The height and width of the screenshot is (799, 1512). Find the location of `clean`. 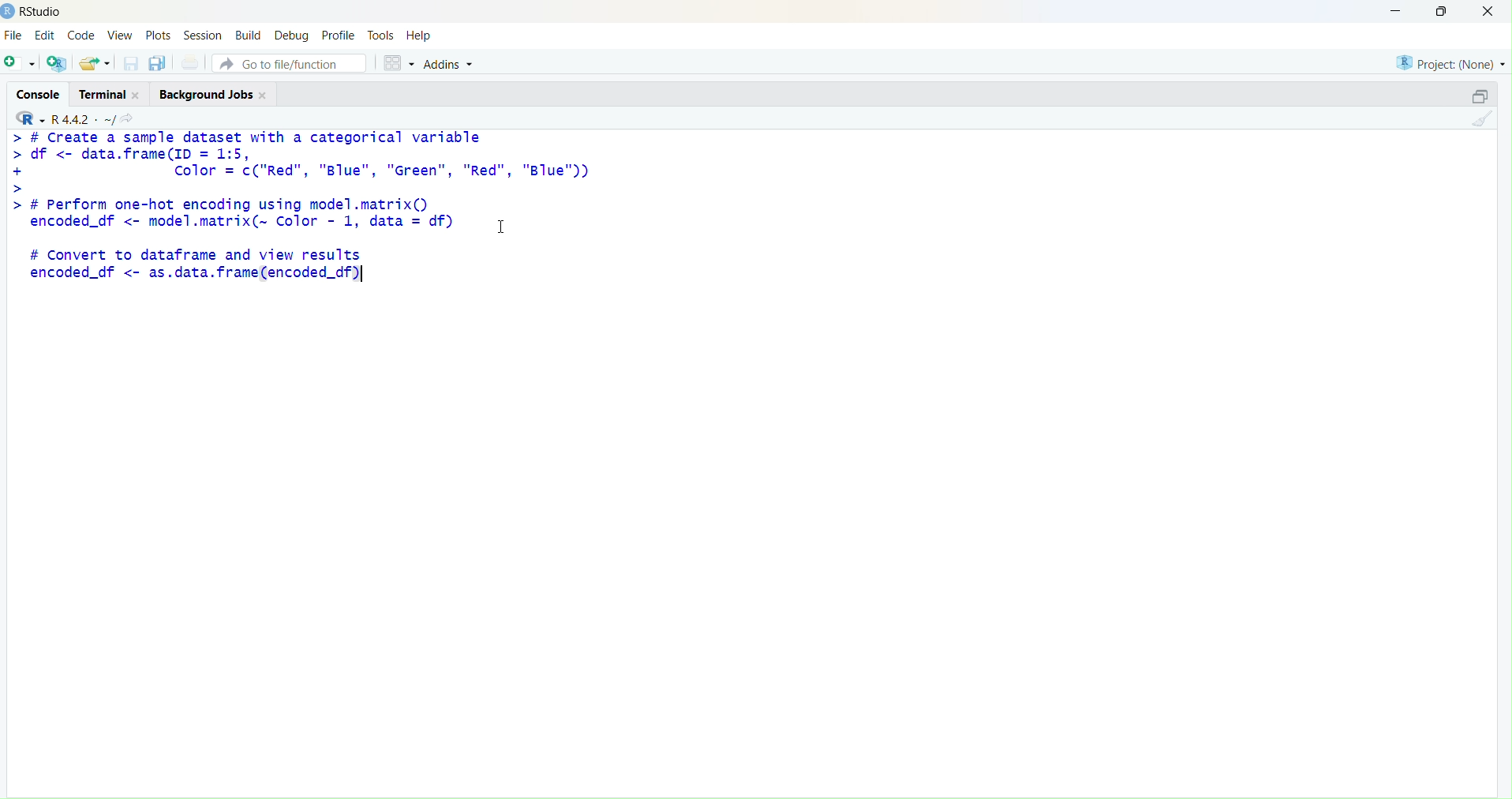

clean is located at coordinates (1482, 118).